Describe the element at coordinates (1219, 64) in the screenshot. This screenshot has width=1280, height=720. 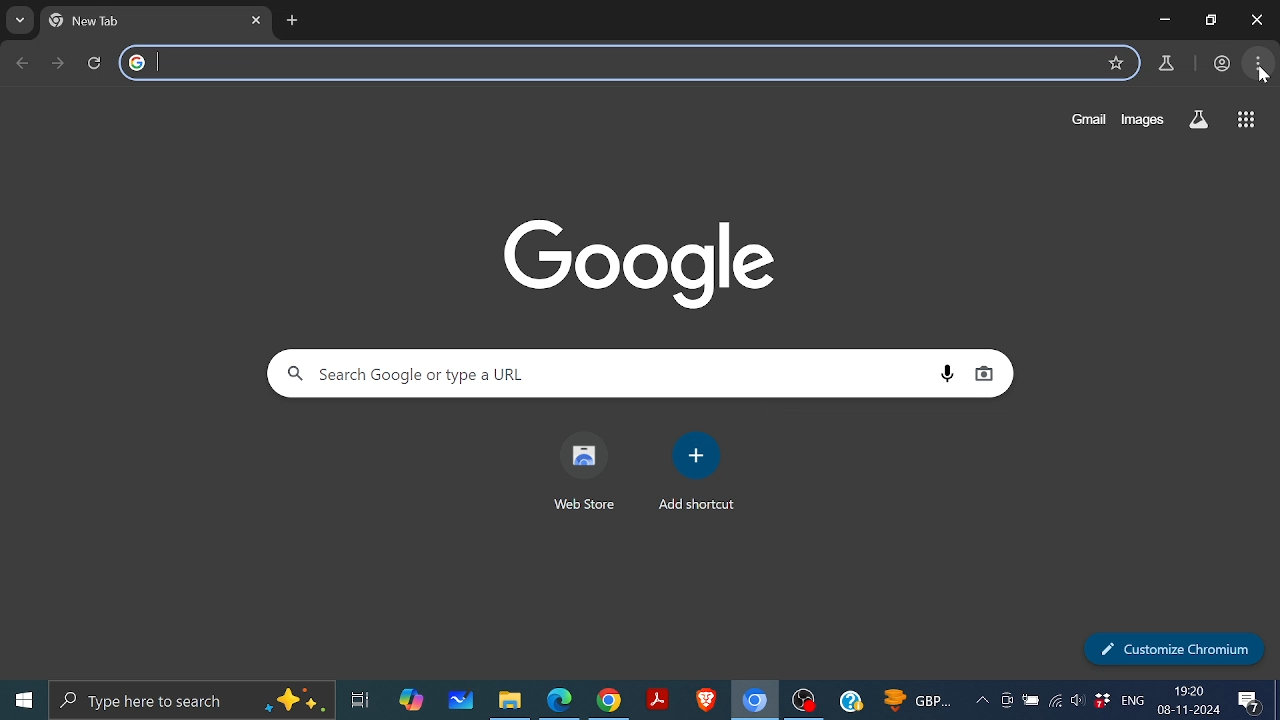
I see `profile` at that location.